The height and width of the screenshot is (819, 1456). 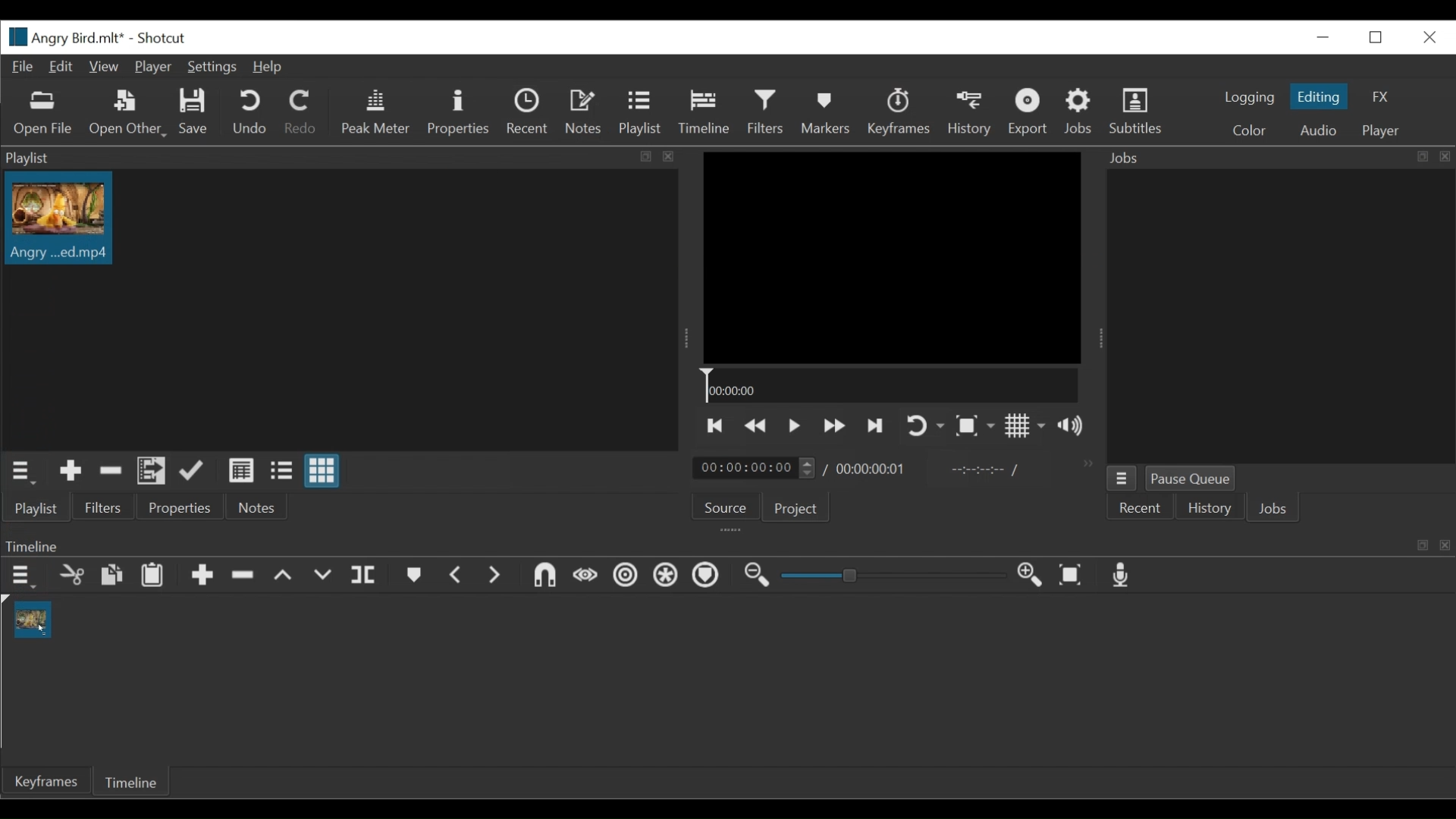 I want to click on Properties, so click(x=460, y=112).